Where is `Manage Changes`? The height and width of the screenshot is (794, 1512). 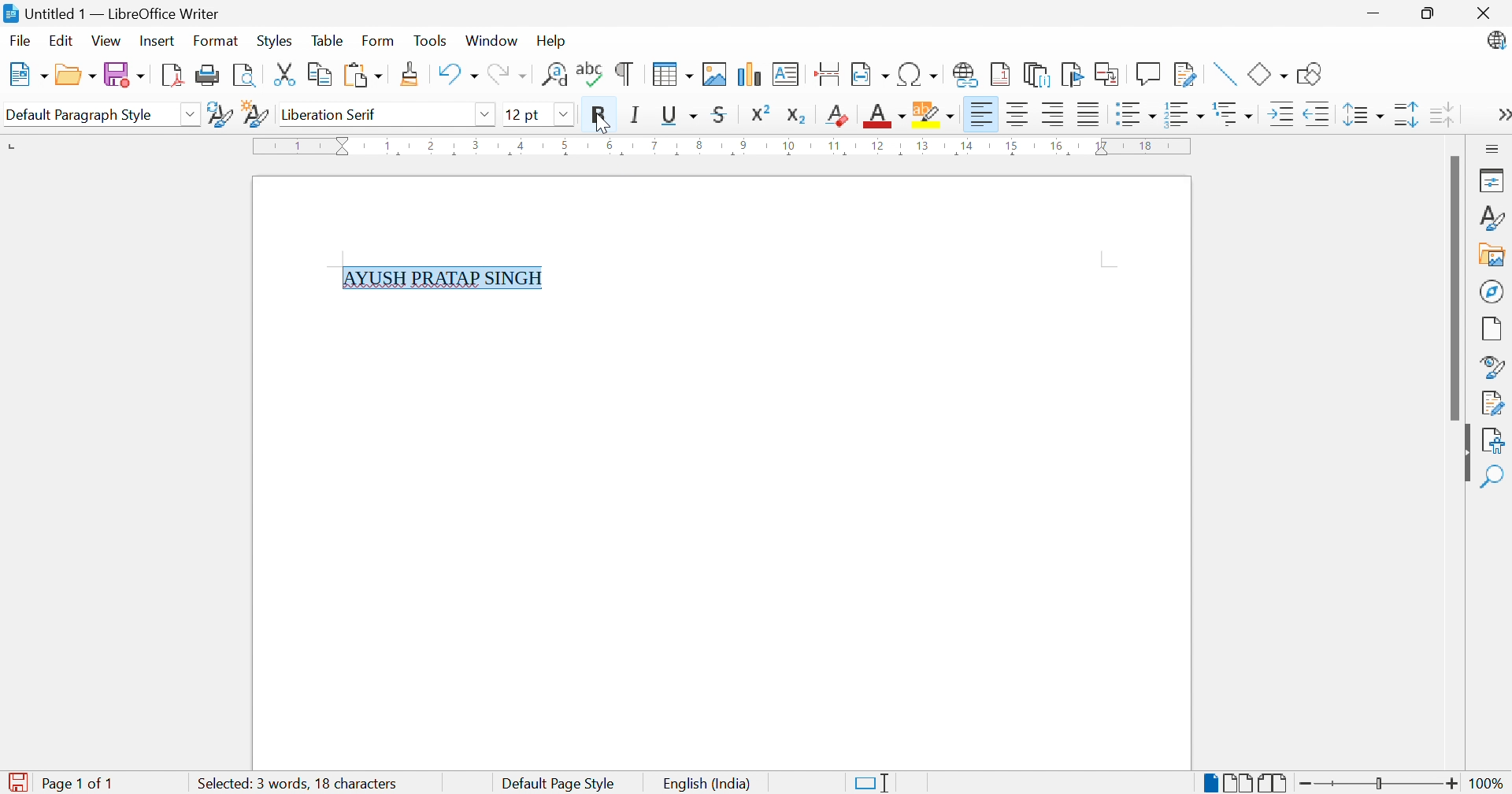 Manage Changes is located at coordinates (1494, 402).